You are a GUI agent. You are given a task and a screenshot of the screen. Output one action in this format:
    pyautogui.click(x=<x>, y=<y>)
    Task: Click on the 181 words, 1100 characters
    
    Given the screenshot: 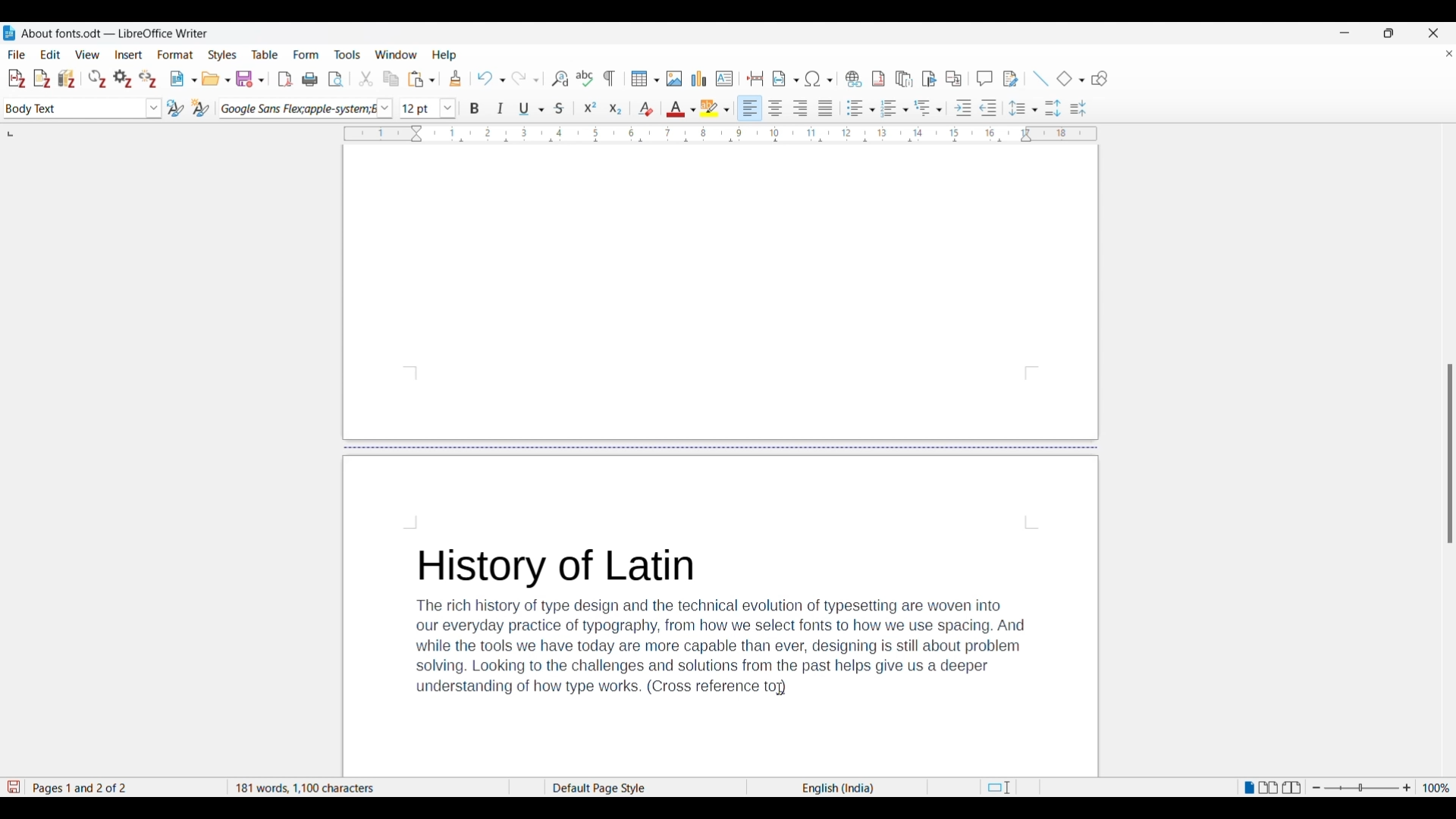 What is the action you would take?
    pyautogui.click(x=369, y=787)
    